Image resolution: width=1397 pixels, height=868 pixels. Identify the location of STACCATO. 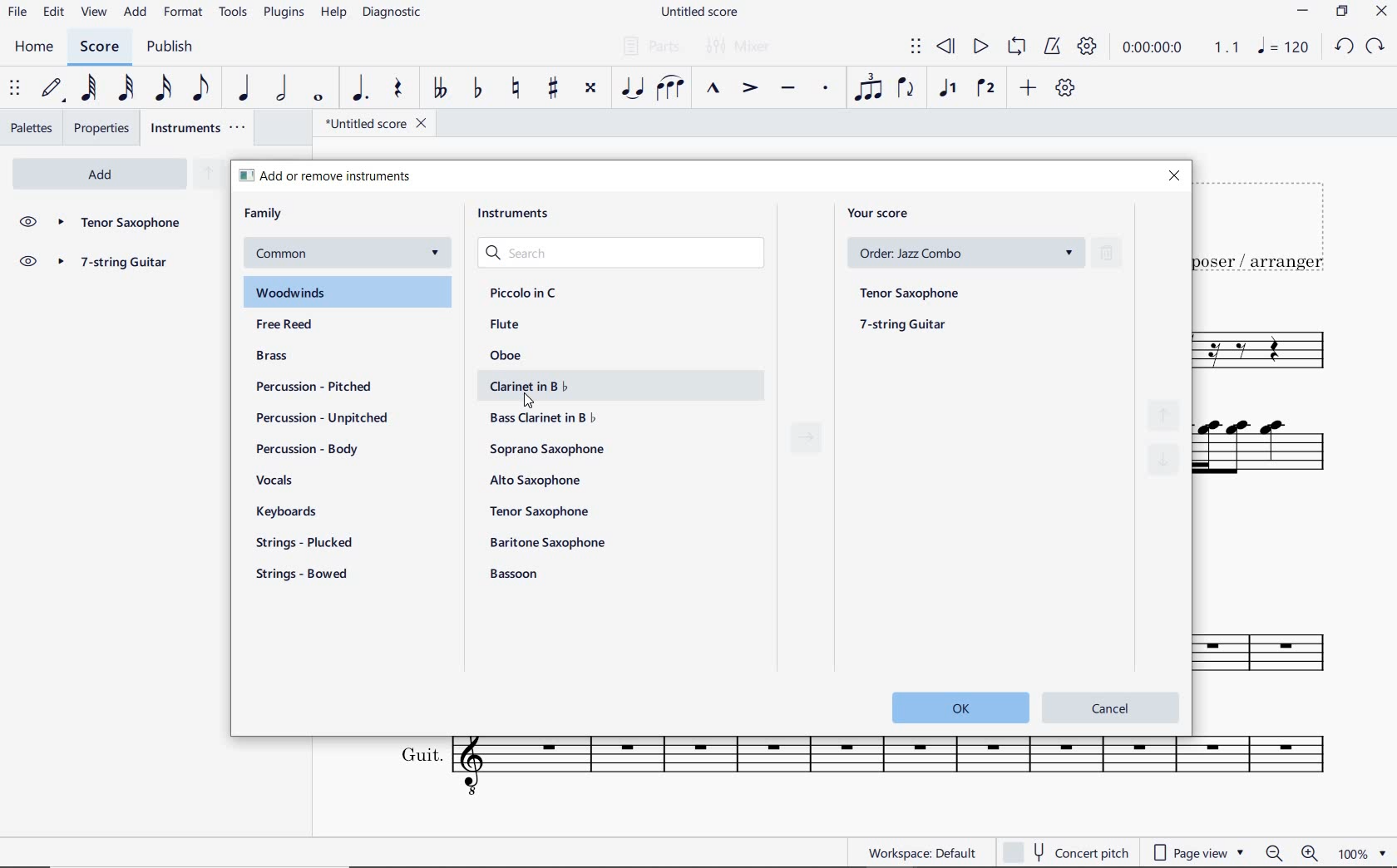
(825, 89).